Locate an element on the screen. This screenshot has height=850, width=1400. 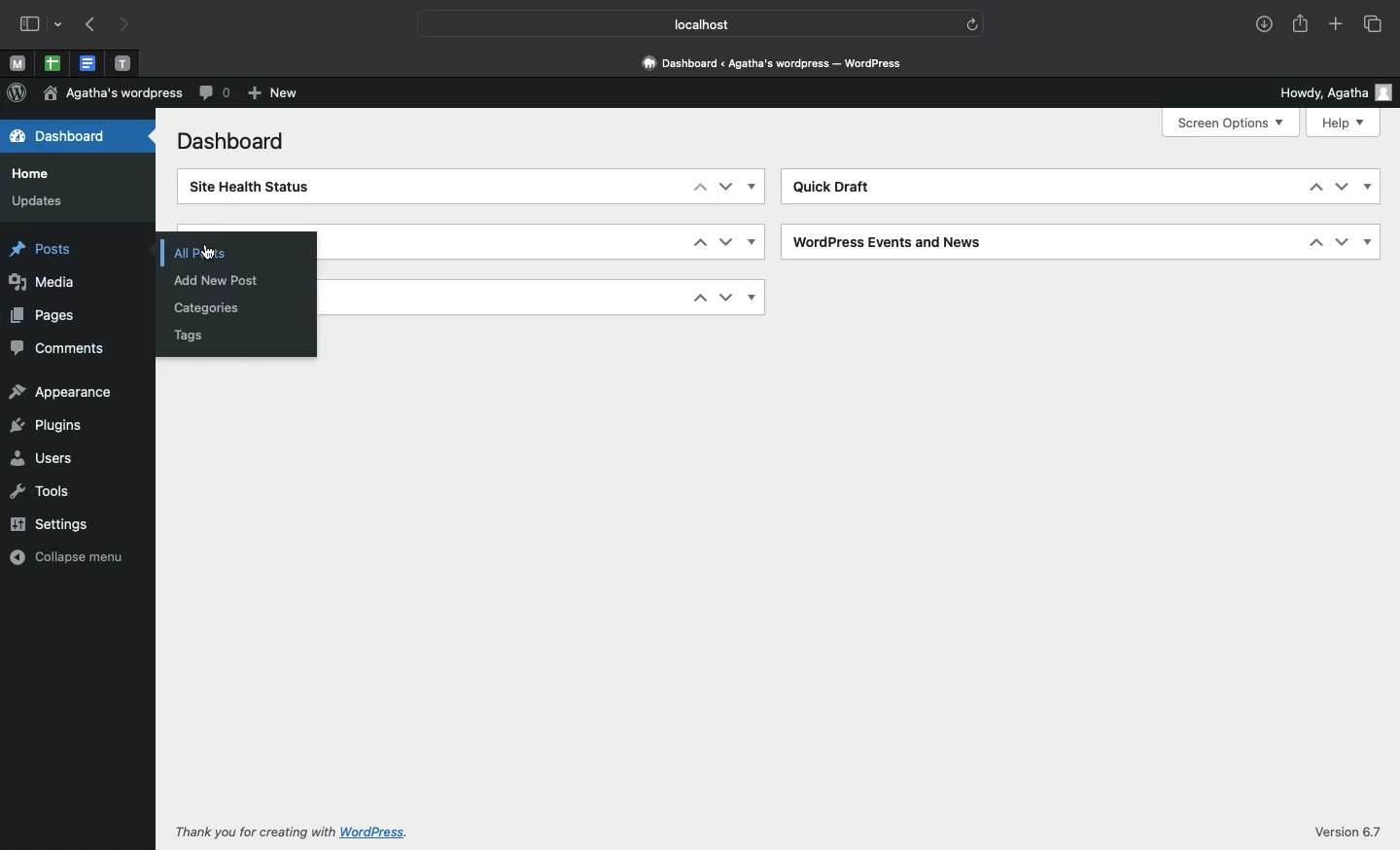
Version 6.7 is located at coordinates (1345, 833).